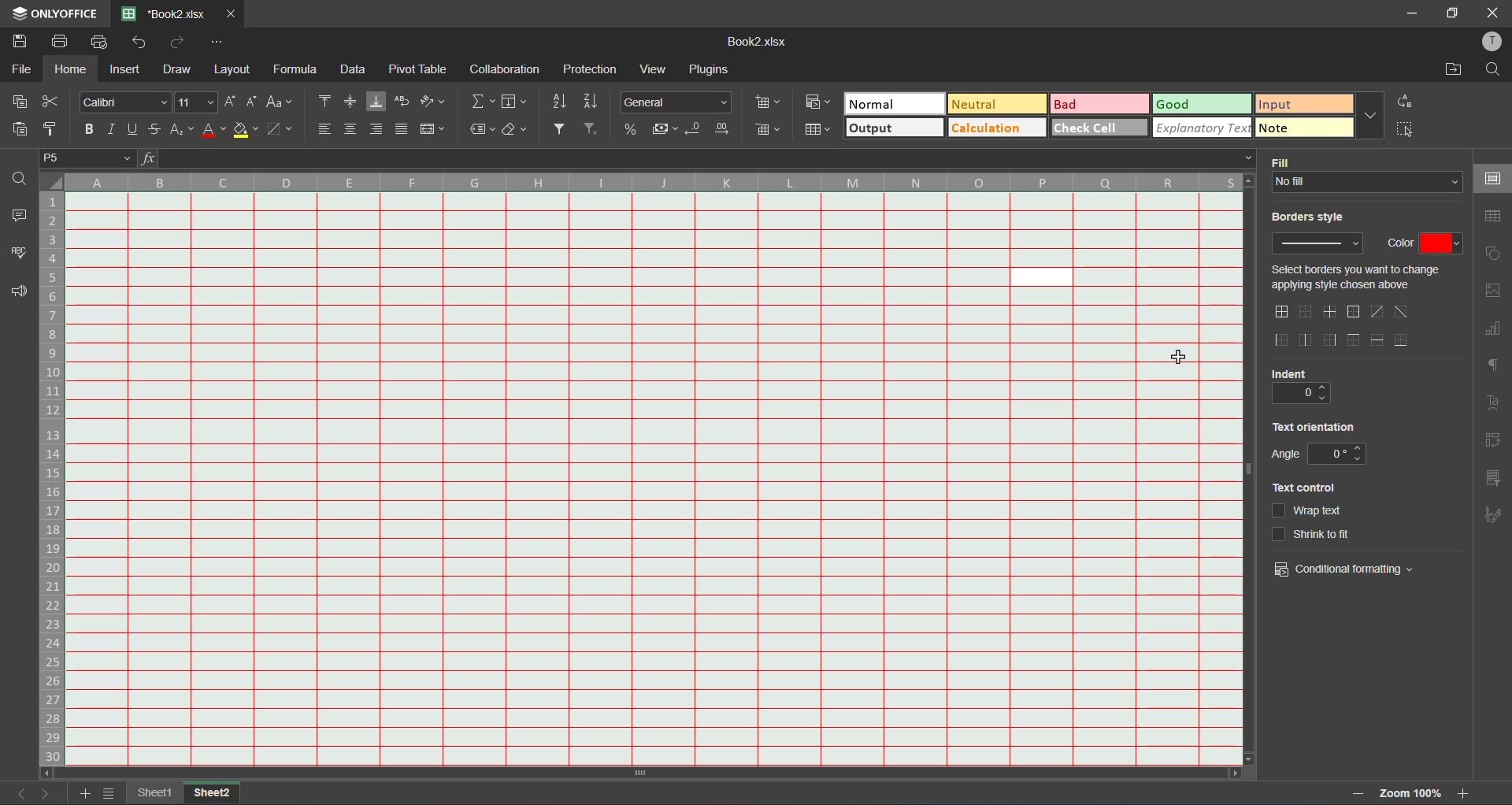 This screenshot has width=1512, height=805. I want to click on merge and center, so click(434, 130).